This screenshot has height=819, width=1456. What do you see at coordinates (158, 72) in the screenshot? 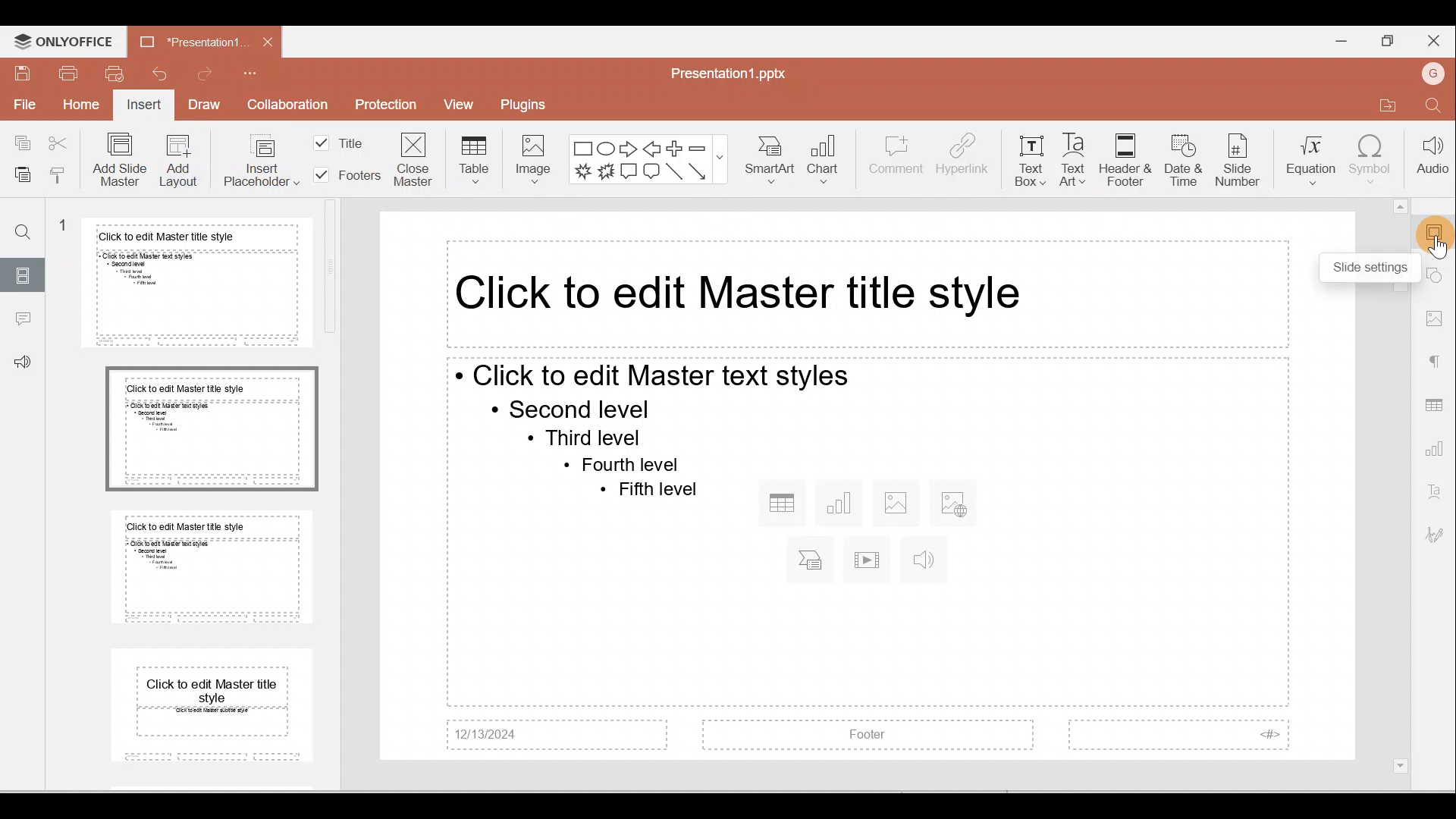
I see `Undo` at bounding box center [158, 72].